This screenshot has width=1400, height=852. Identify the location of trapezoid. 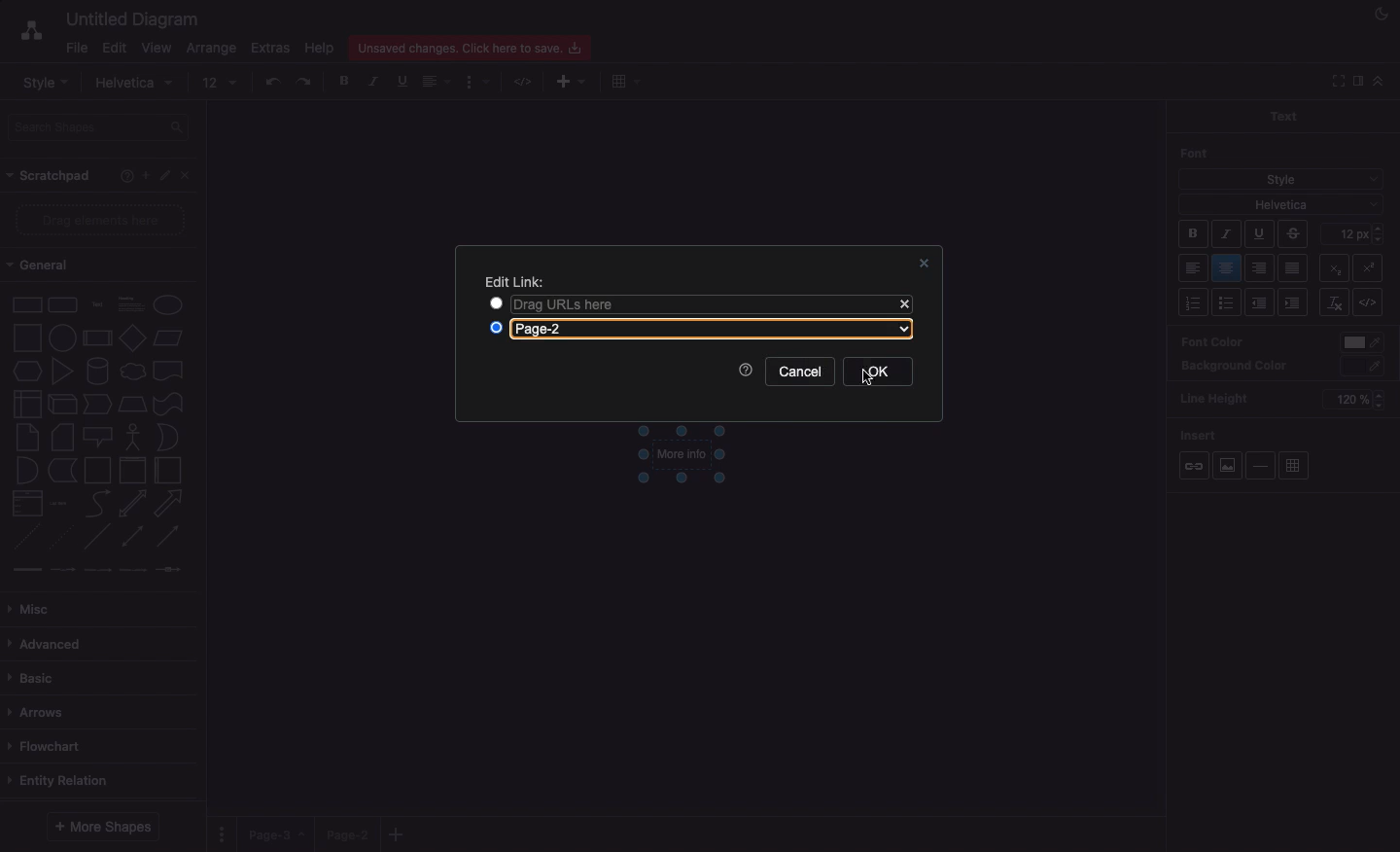
(132, 405).